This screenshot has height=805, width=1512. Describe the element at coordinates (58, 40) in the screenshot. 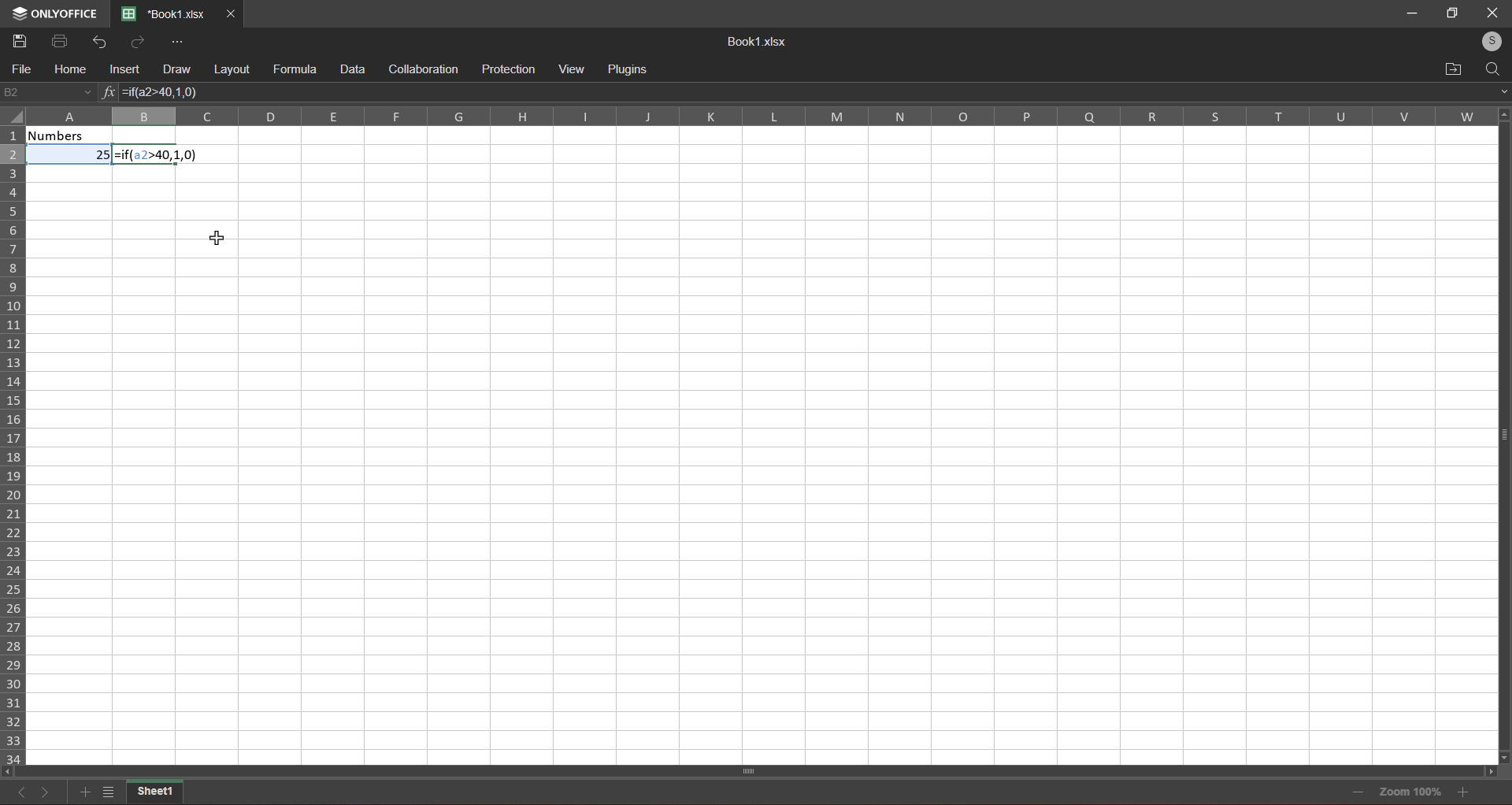

I see `print` at that location.